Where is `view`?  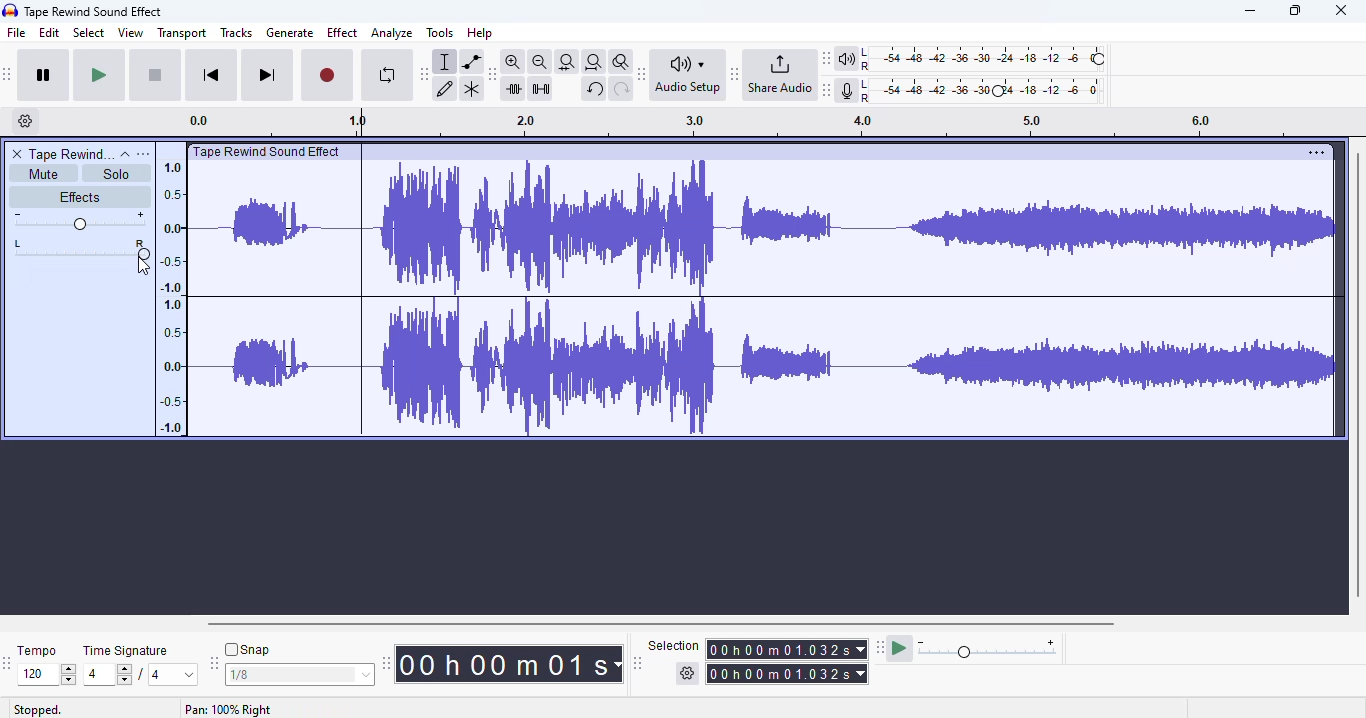
view is located at coordinates (131, 32).